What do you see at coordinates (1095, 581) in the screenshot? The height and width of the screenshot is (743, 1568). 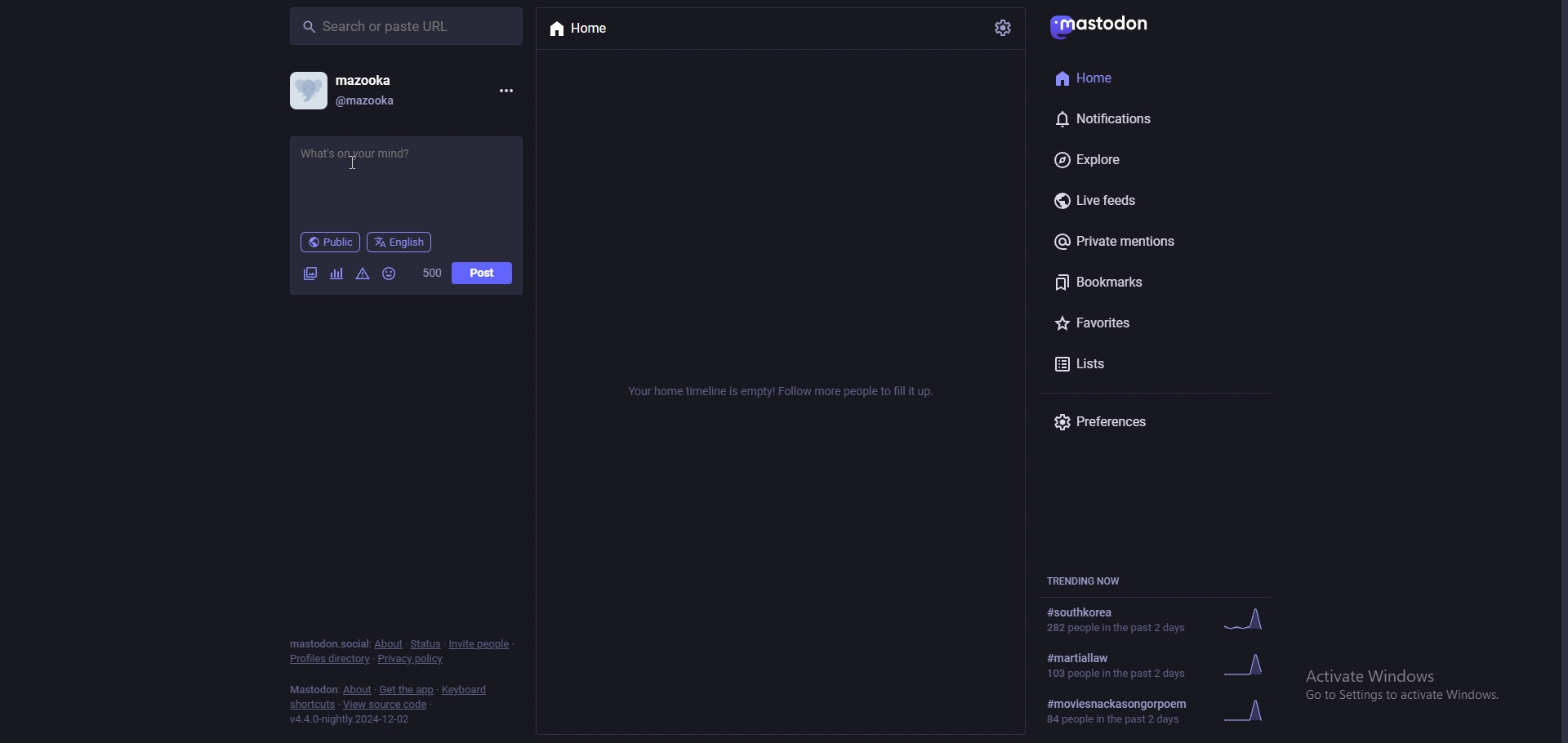 I see `trending now` at bounding box center [1095, 581].